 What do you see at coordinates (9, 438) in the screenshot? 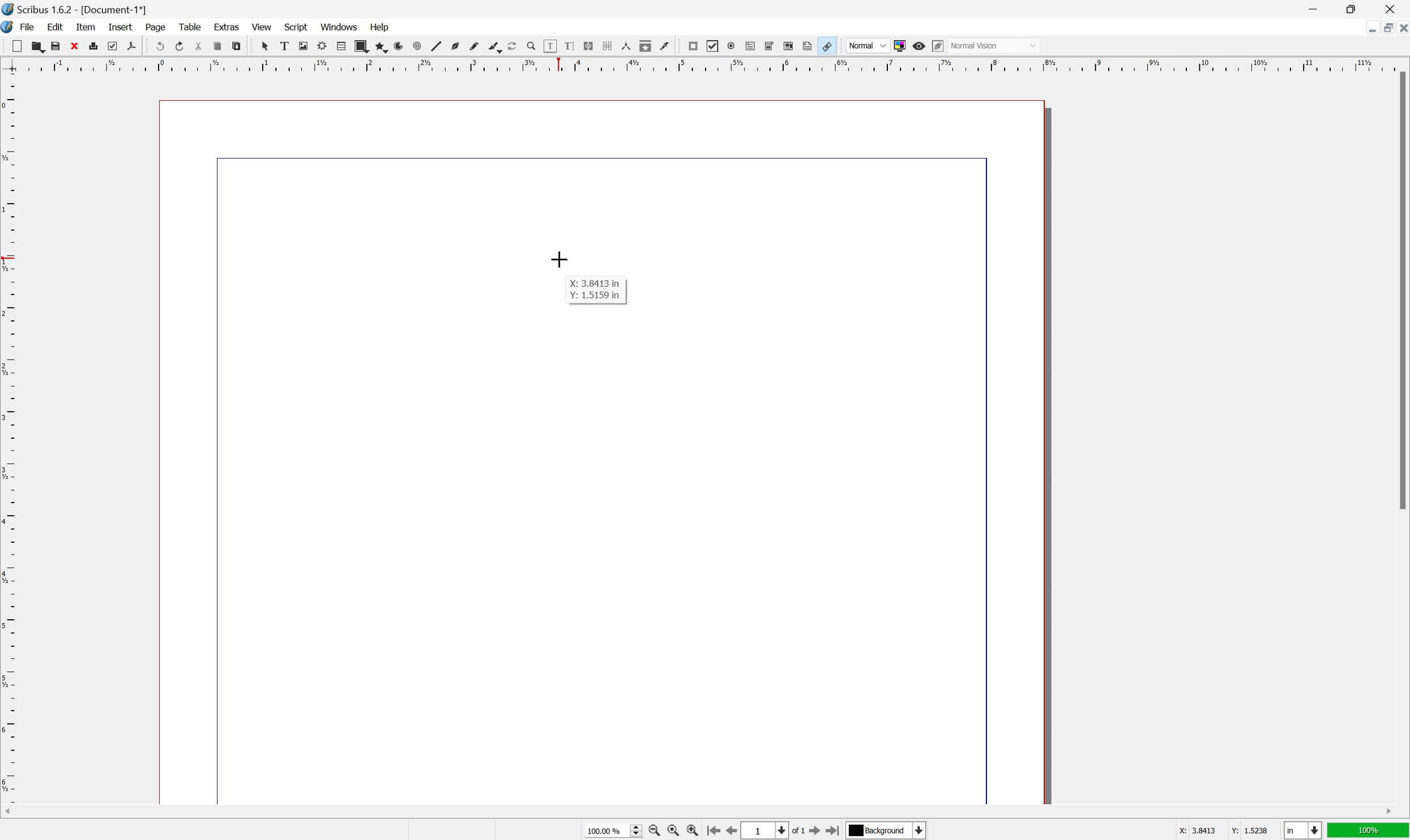
I see `ruler` at bounding box center [9, 438].